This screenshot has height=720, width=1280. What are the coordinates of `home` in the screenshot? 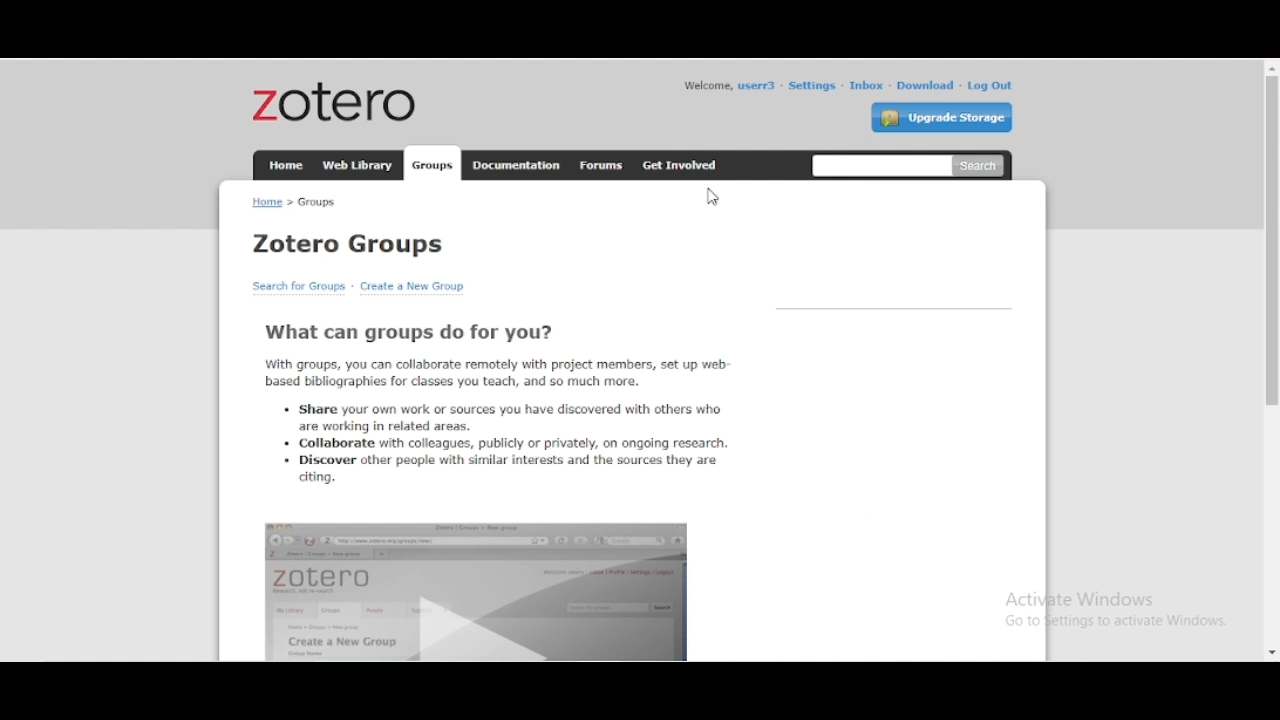 It's located at (268, 203).